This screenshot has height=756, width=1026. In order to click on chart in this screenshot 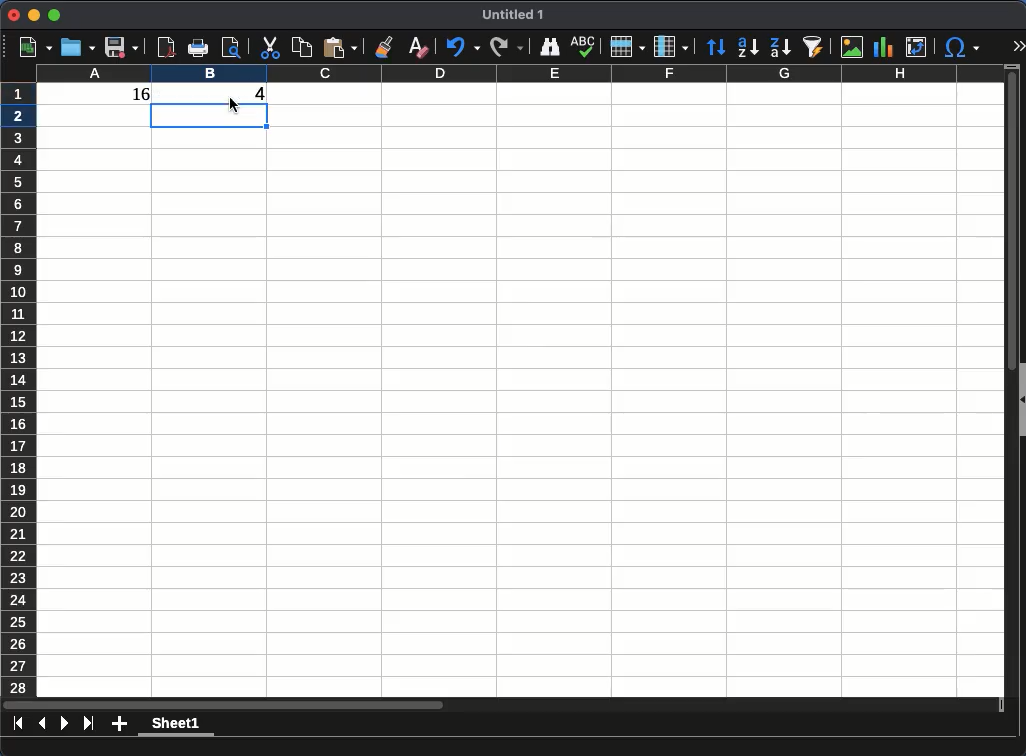, I will do `click(884, 48)`.